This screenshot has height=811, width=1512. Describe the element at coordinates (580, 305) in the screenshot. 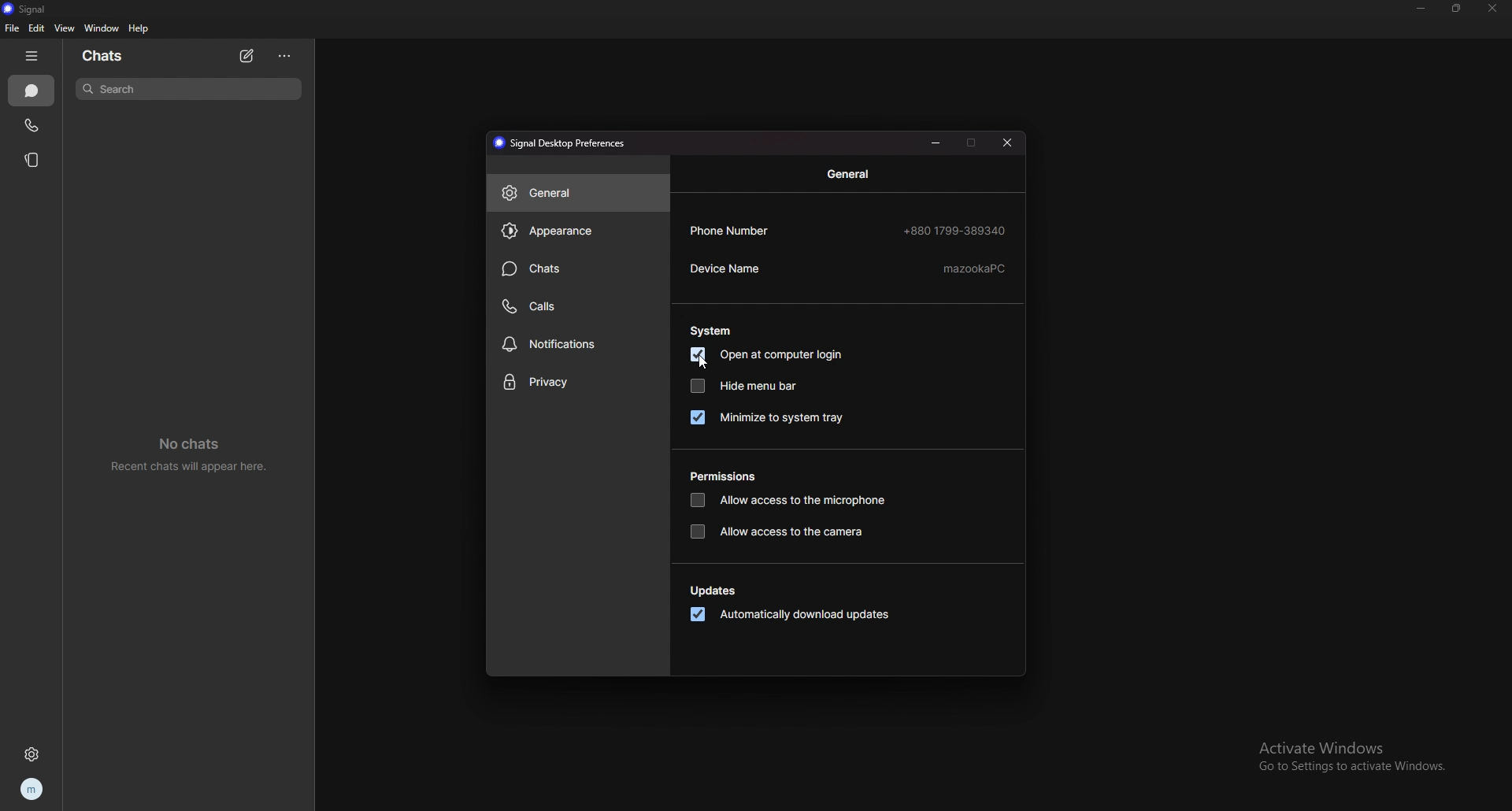

I see `calls` at that location.